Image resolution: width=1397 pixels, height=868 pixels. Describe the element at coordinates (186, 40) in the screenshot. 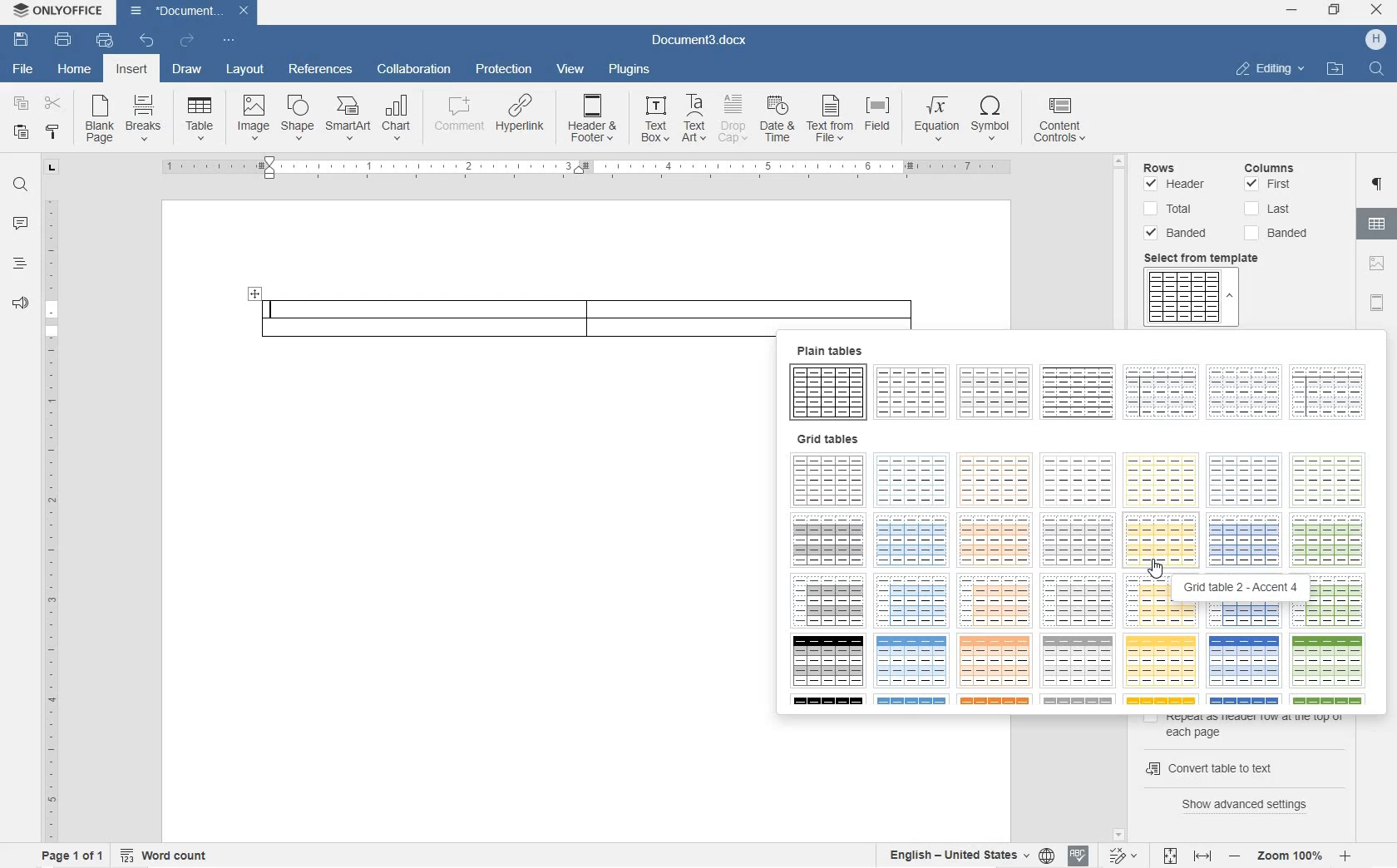

I see `REDO` at that location.